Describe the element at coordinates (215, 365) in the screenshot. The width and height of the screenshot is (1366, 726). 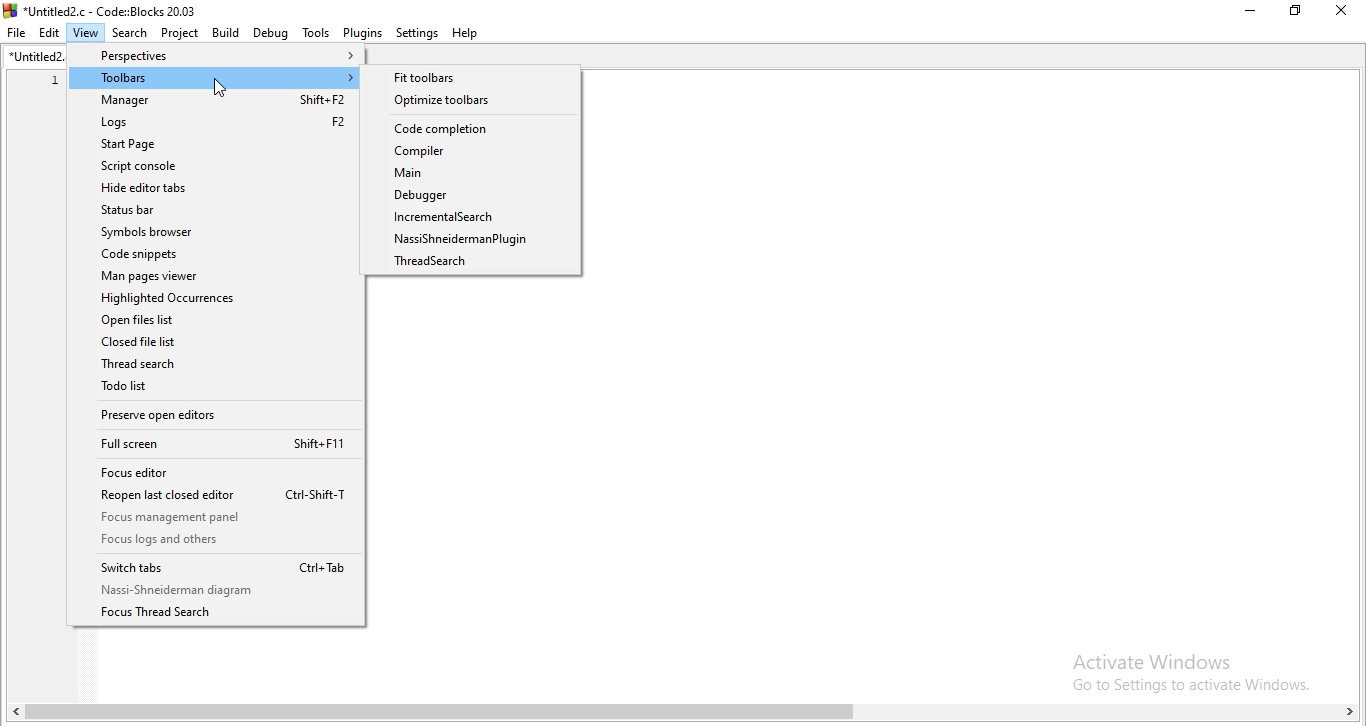
I see `Thread search` at that location.